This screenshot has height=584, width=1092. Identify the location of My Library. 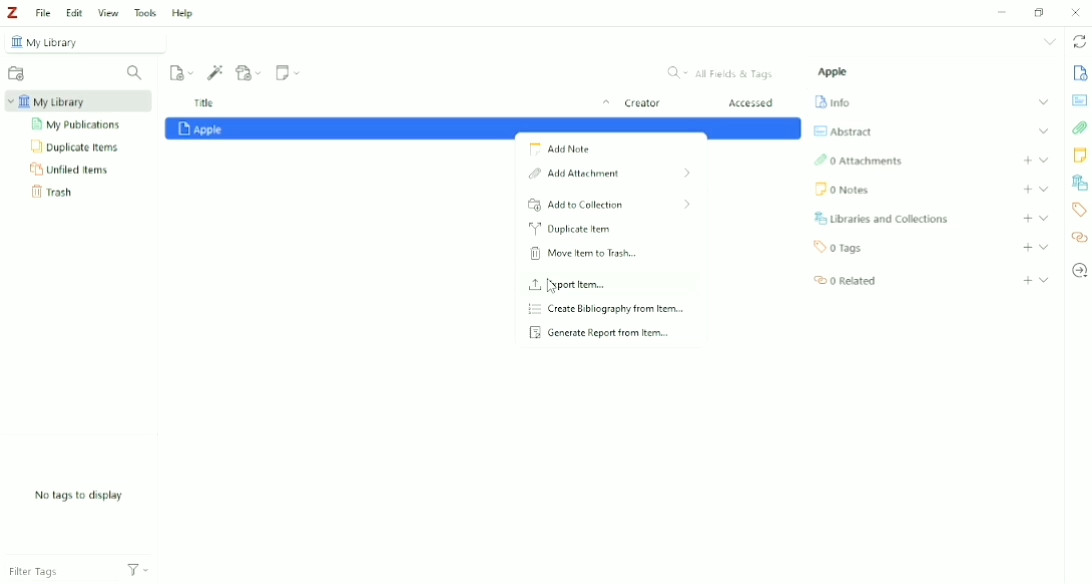
(75, 102).